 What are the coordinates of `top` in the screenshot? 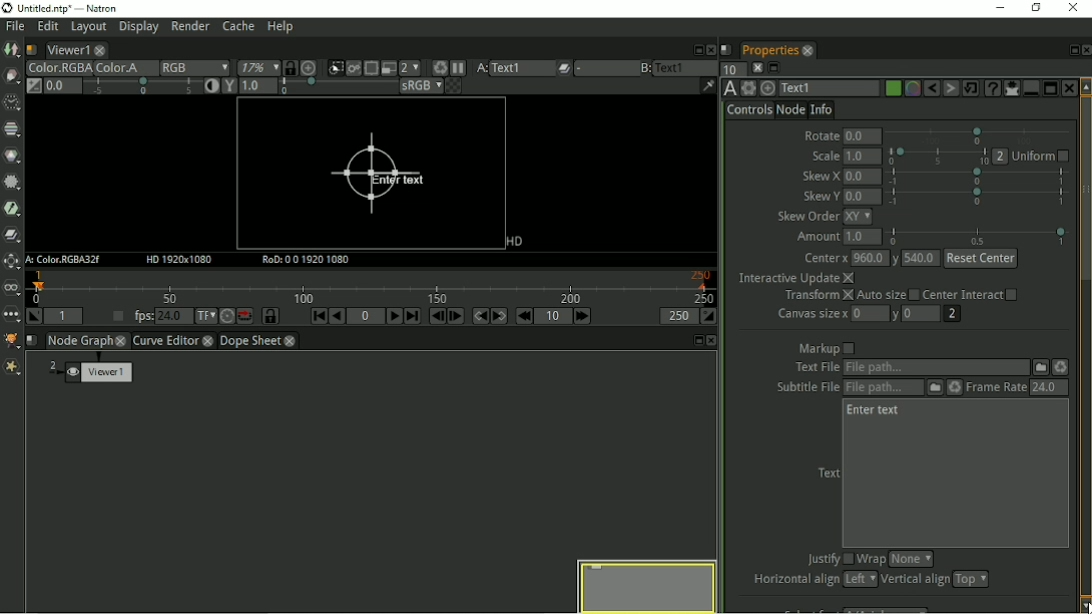 It's located at (970, 579).